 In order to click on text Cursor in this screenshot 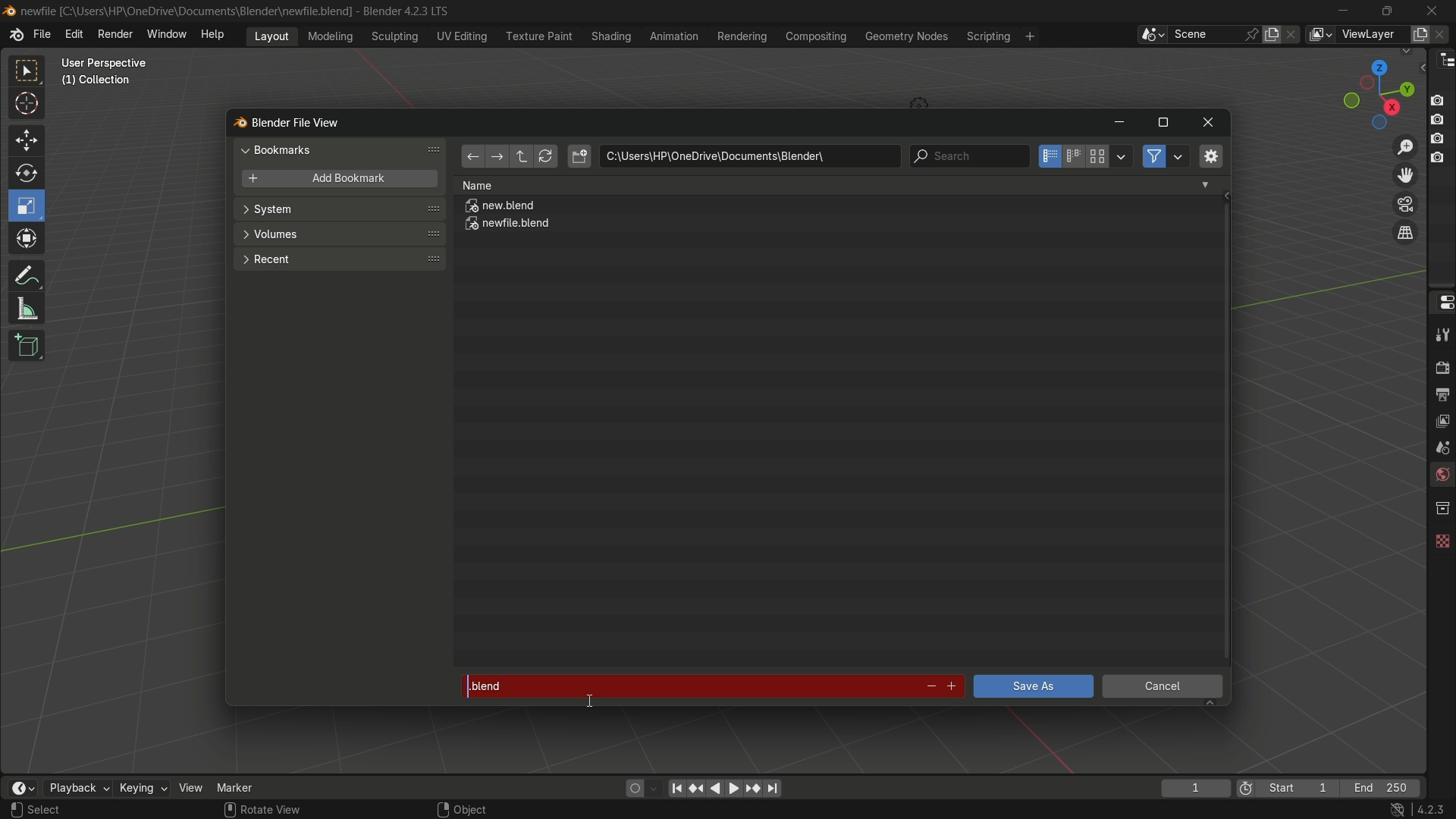, I will do `click(591, 703)`.